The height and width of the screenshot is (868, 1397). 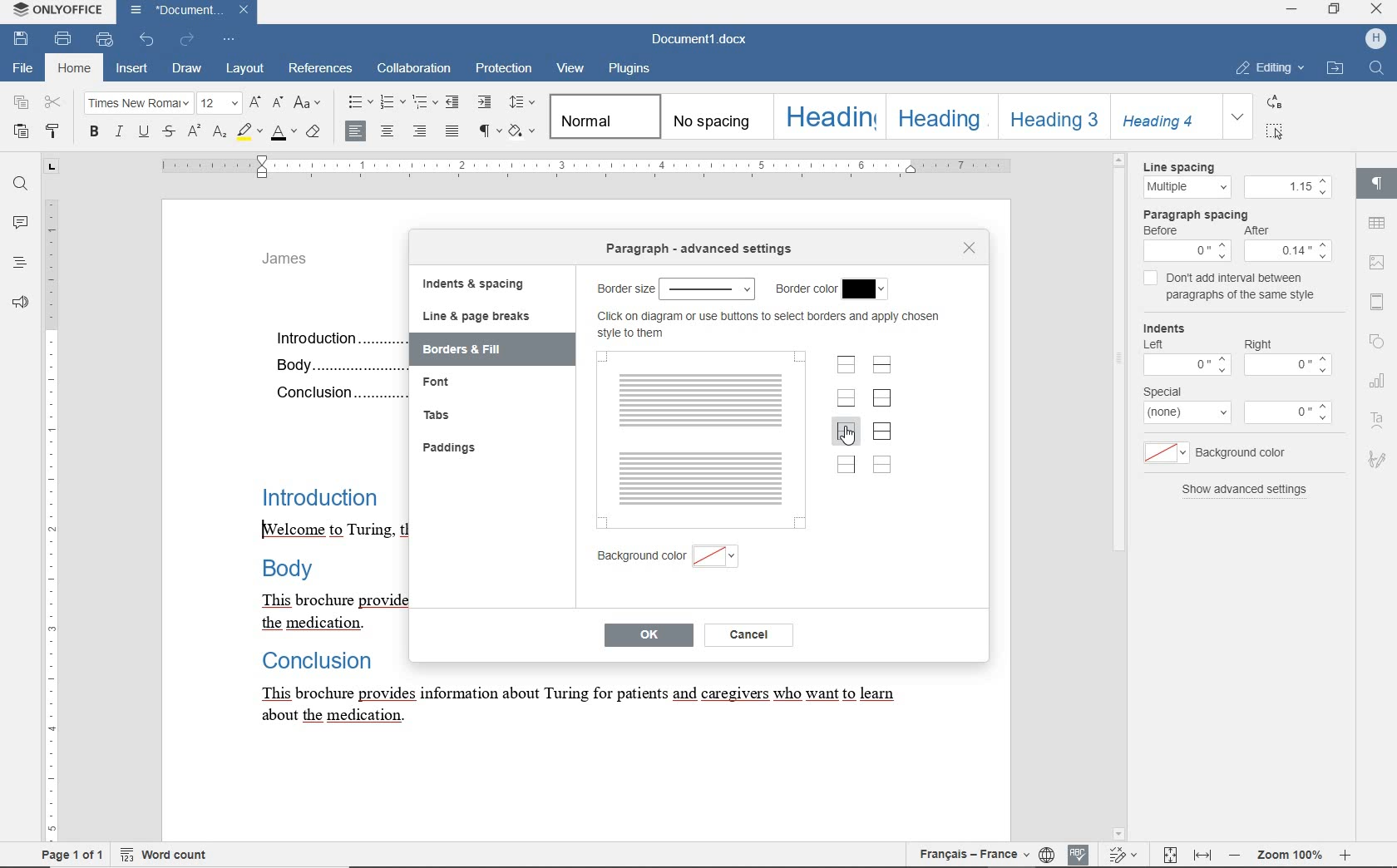 What do you see at coordinates (187, 39) in the screenshot?
I see `redo` at bounding box center [187, 39].